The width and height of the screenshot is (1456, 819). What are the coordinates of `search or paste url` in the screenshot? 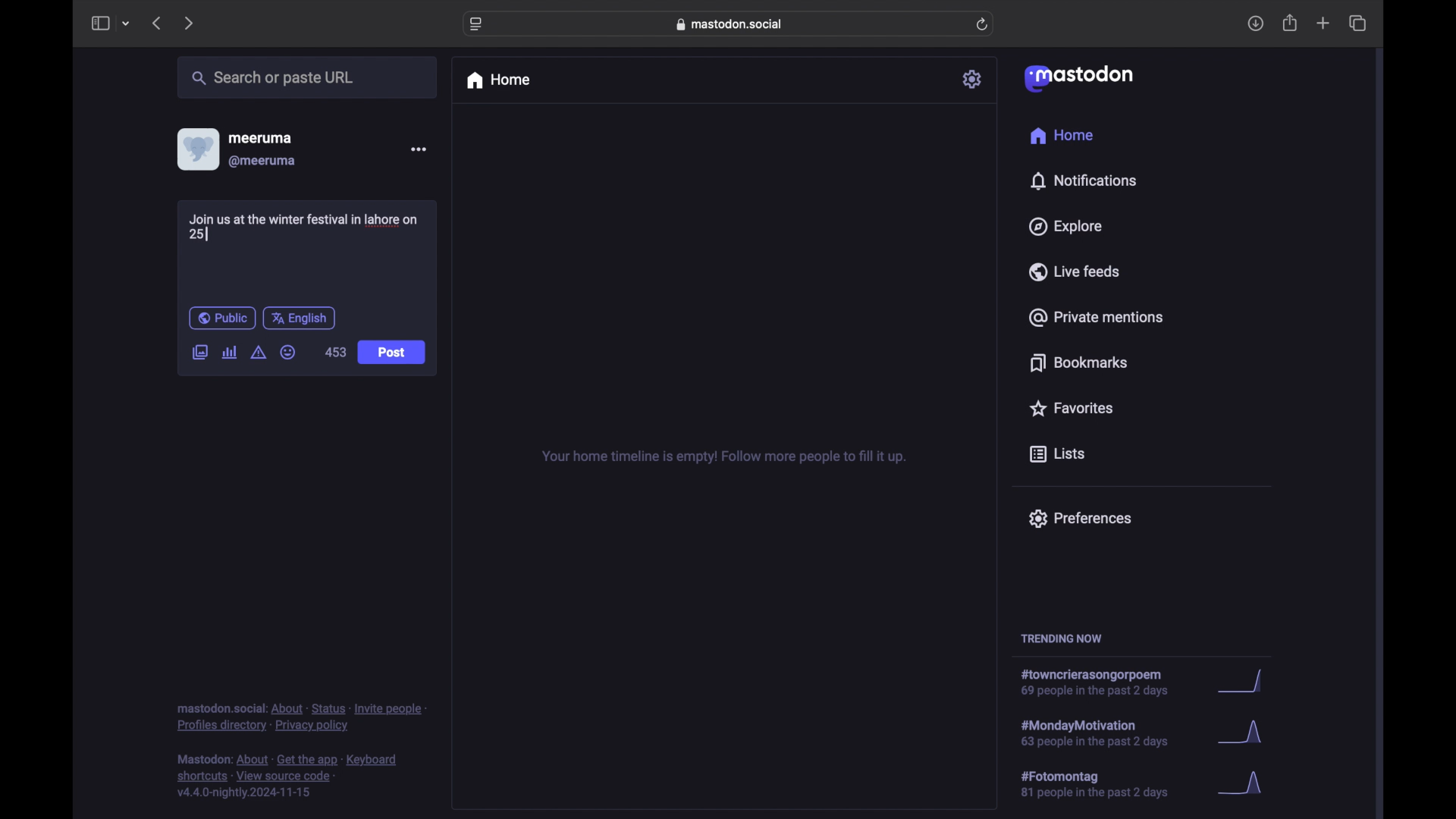 It's located at (272, 78).